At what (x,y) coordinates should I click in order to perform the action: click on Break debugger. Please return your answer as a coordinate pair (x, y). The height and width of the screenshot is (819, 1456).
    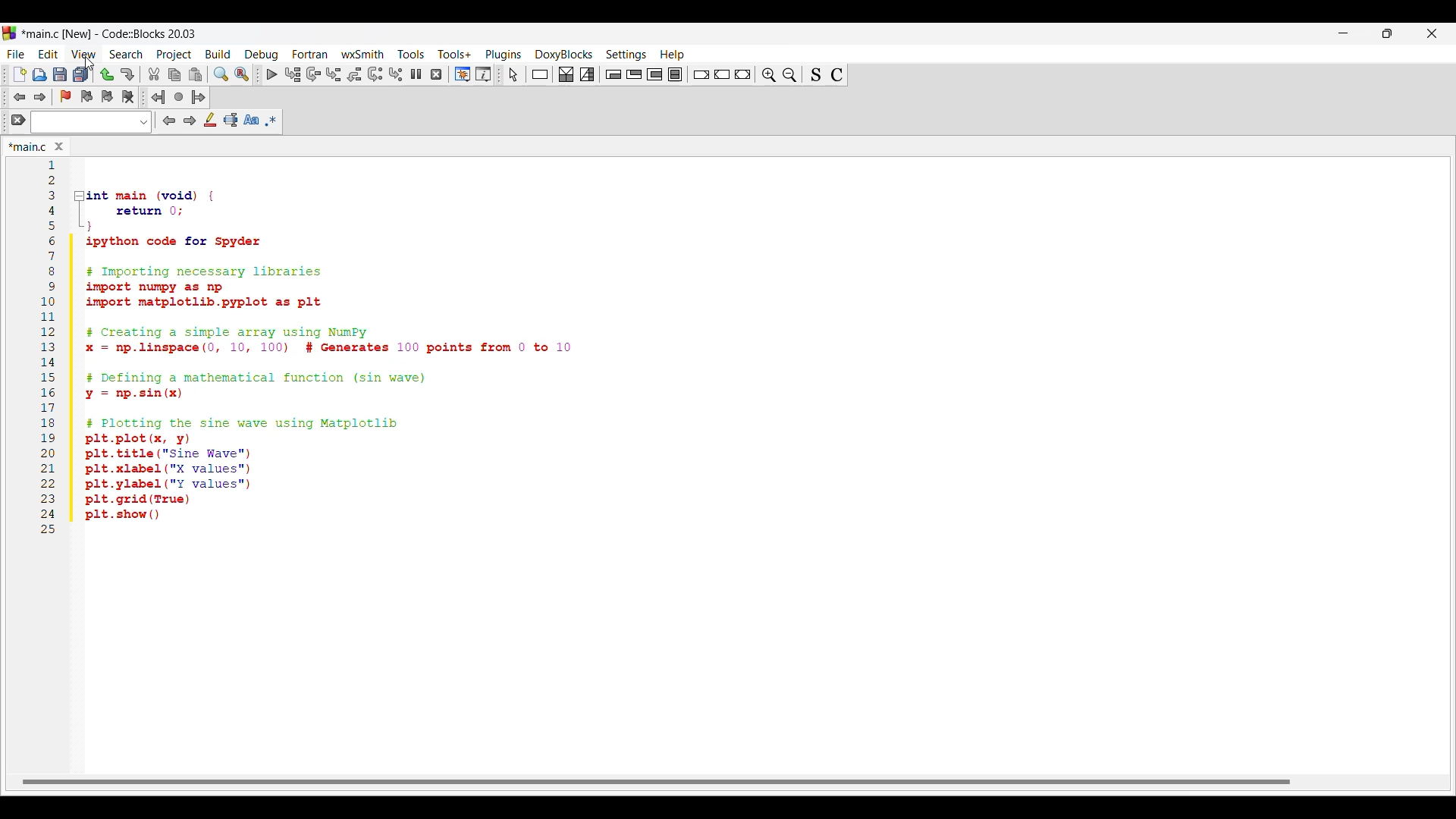
    Looking at the image, I should click on (416, 74).